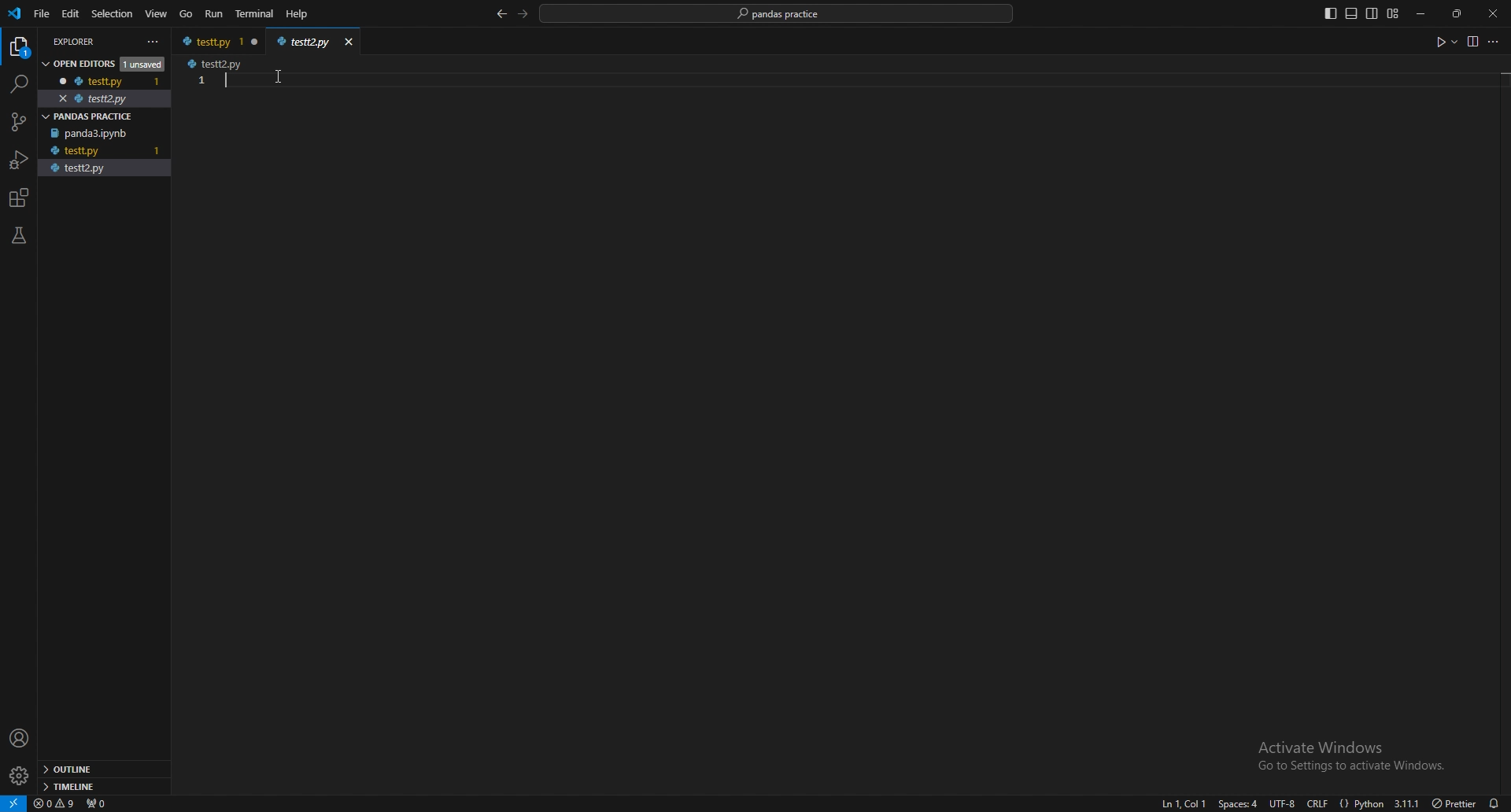 This screenshot has height=812, width=1511. What do you see at coordinates (19, 235) in the screenshot?
I see `testing` at bounding box center [19, 235].